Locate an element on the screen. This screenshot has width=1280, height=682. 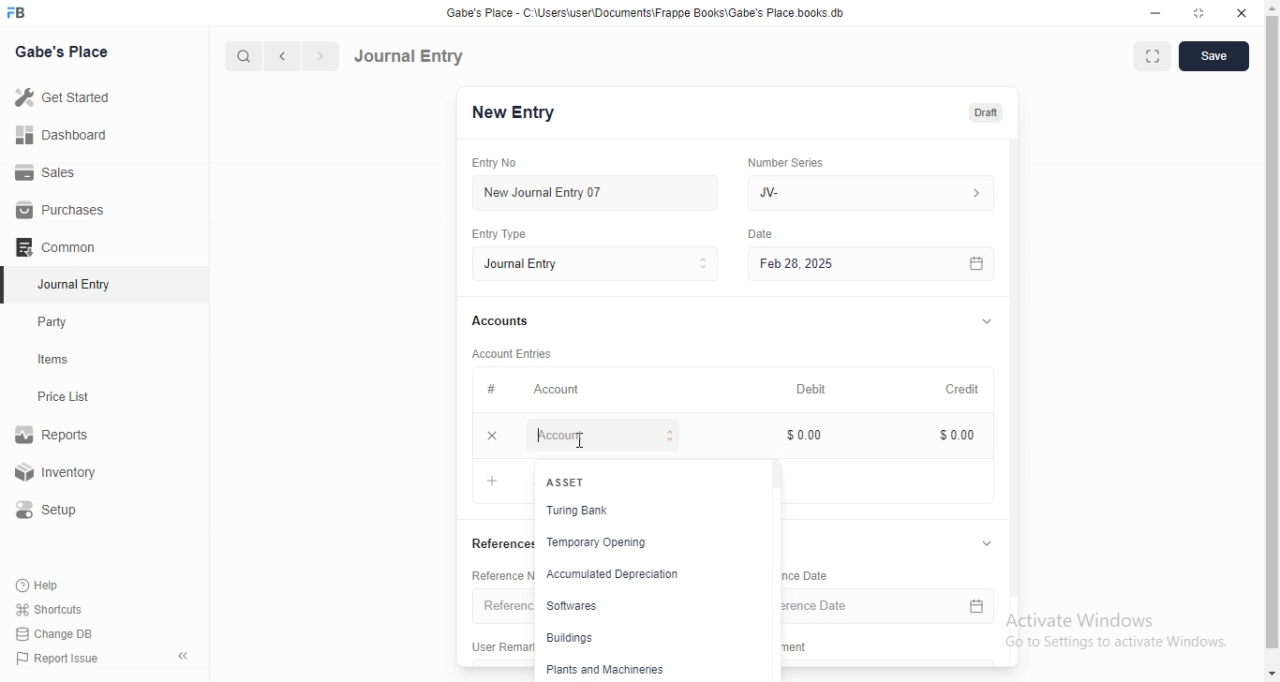
Turing Bank is located at coordinates (576, 510).